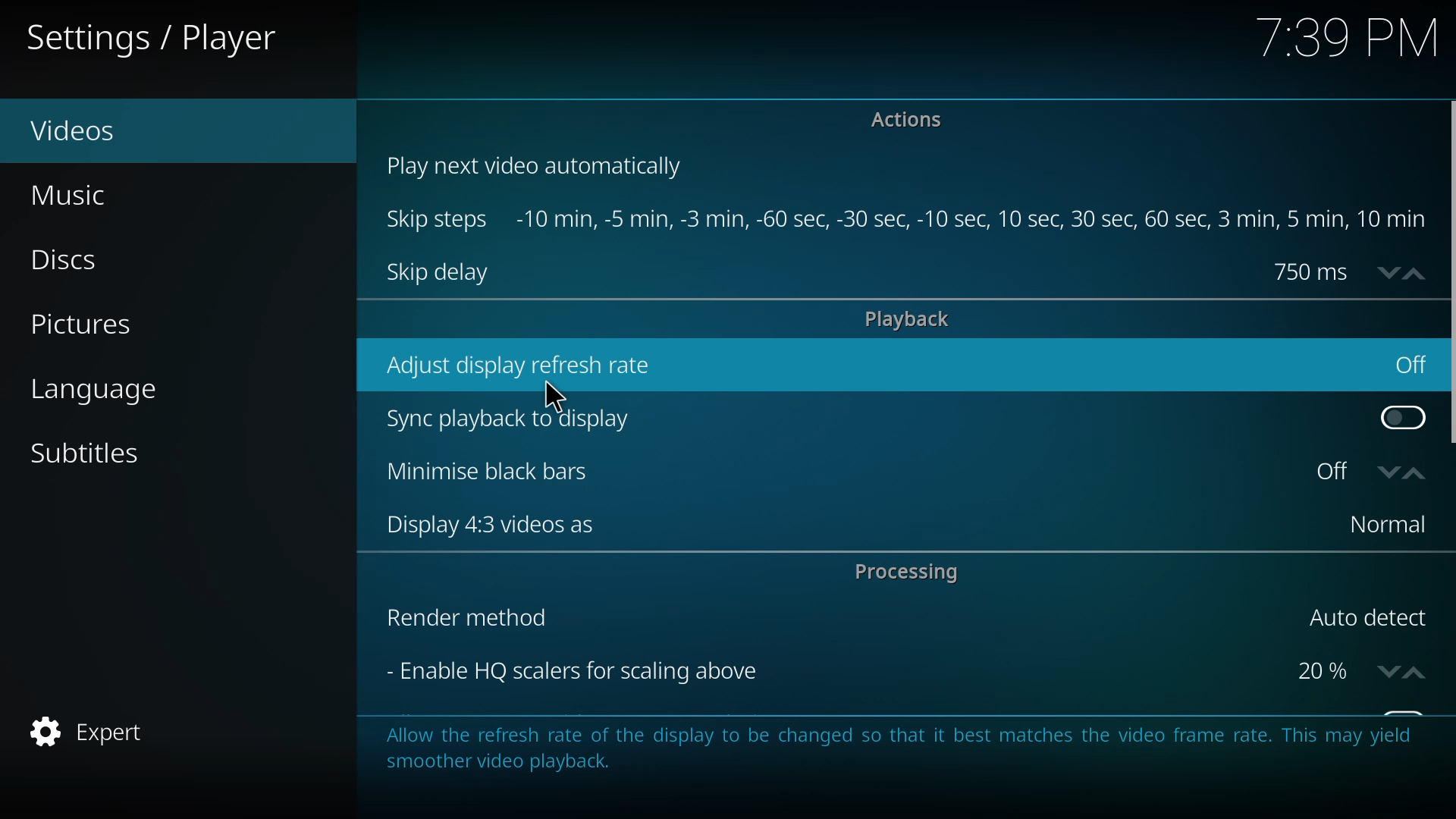  Describe the element at coordinates (91, 453) in the screenshot. I see `subtitles` at that location.